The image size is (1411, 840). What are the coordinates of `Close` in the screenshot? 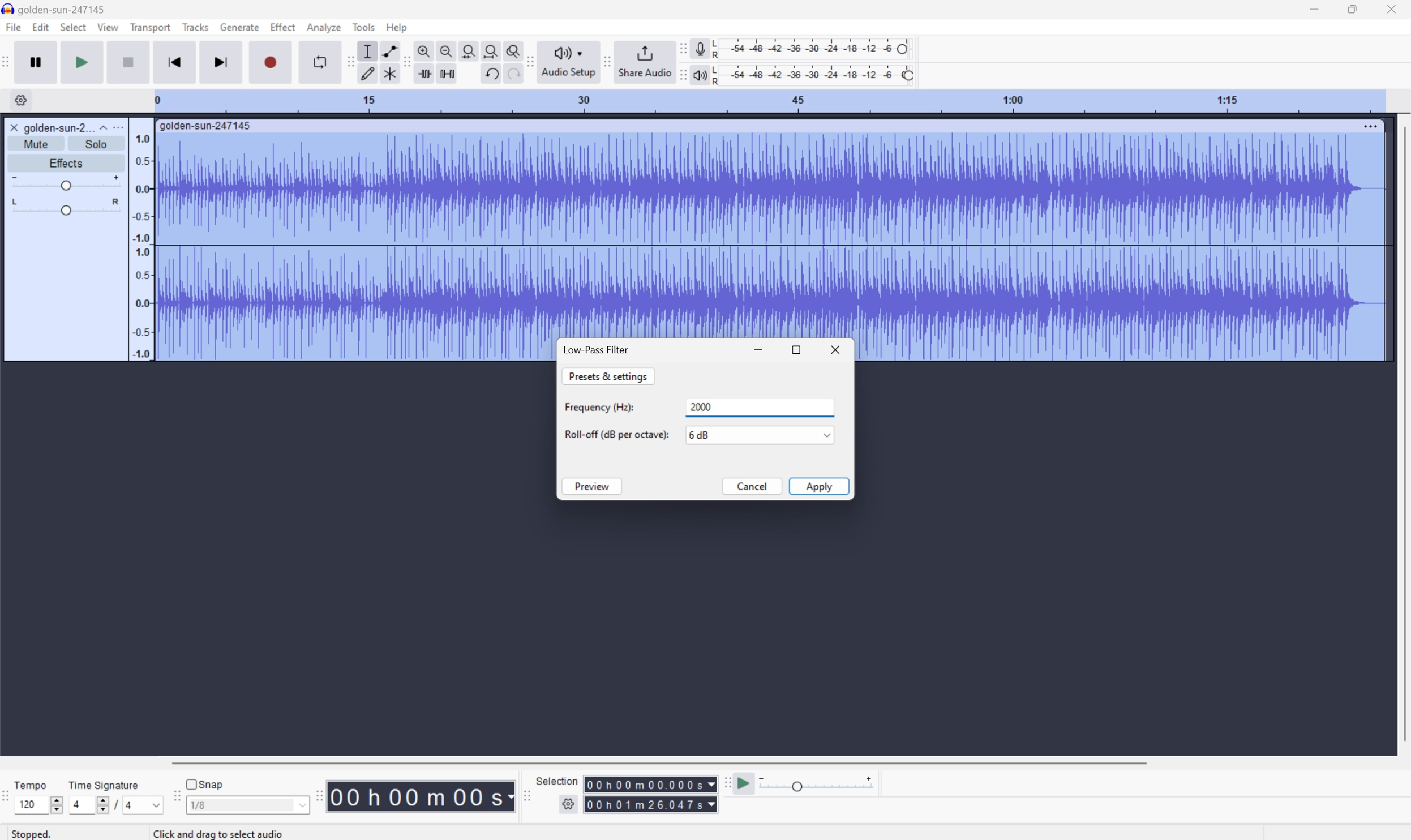 It's located at (14, 127).